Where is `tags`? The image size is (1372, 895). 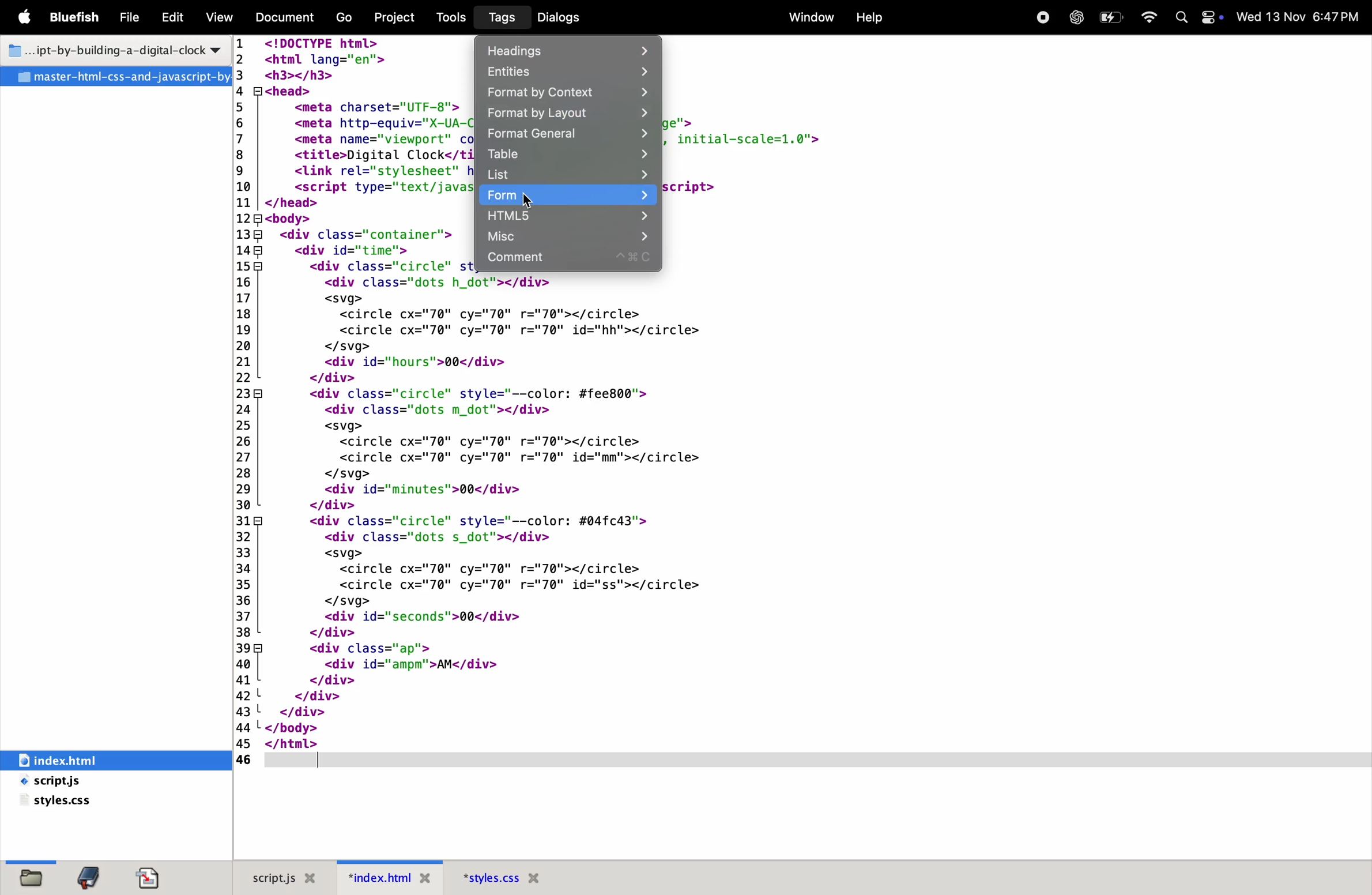 tags is located at coordinates (497, 19).